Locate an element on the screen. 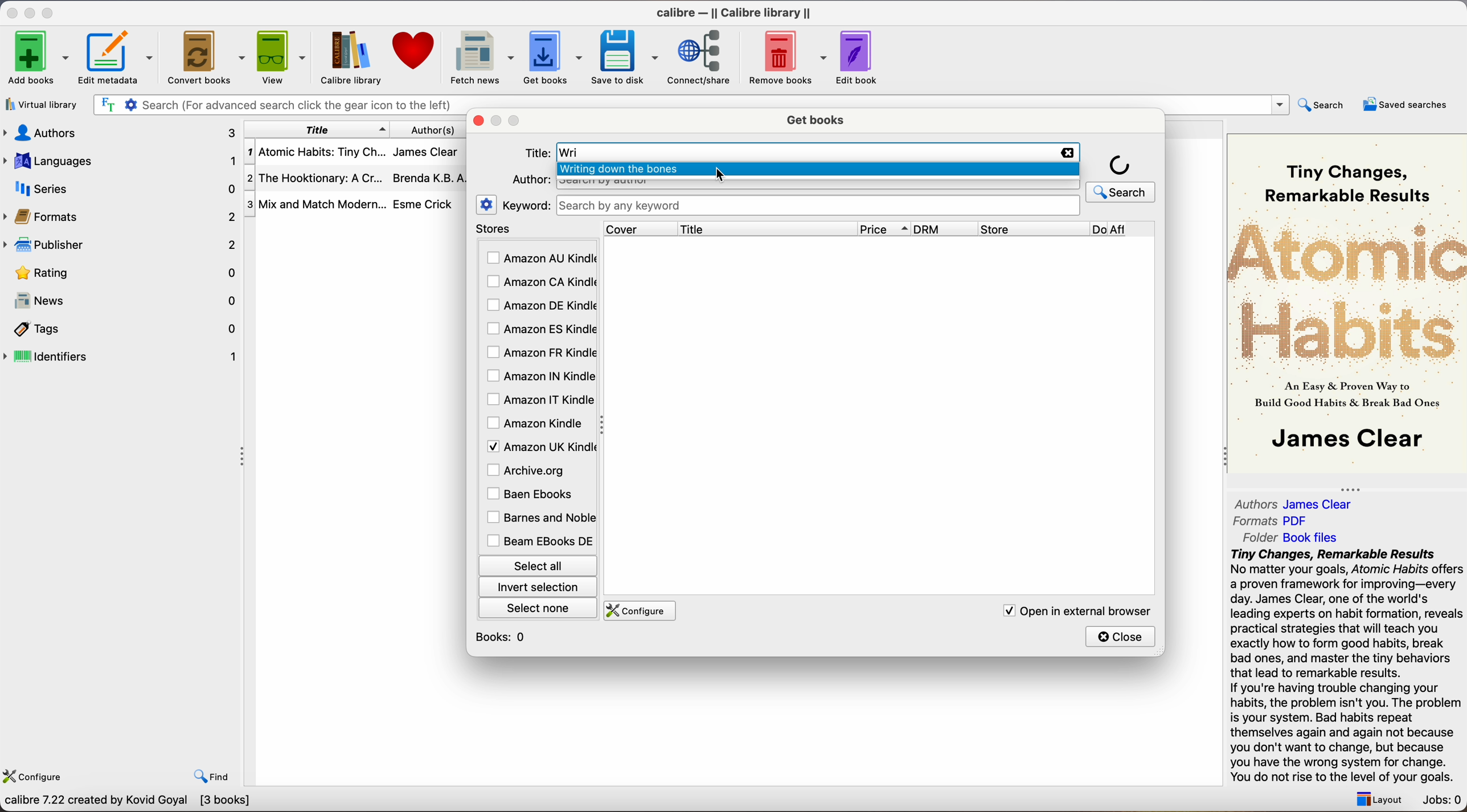  configure is located at coordinates (36, 774).